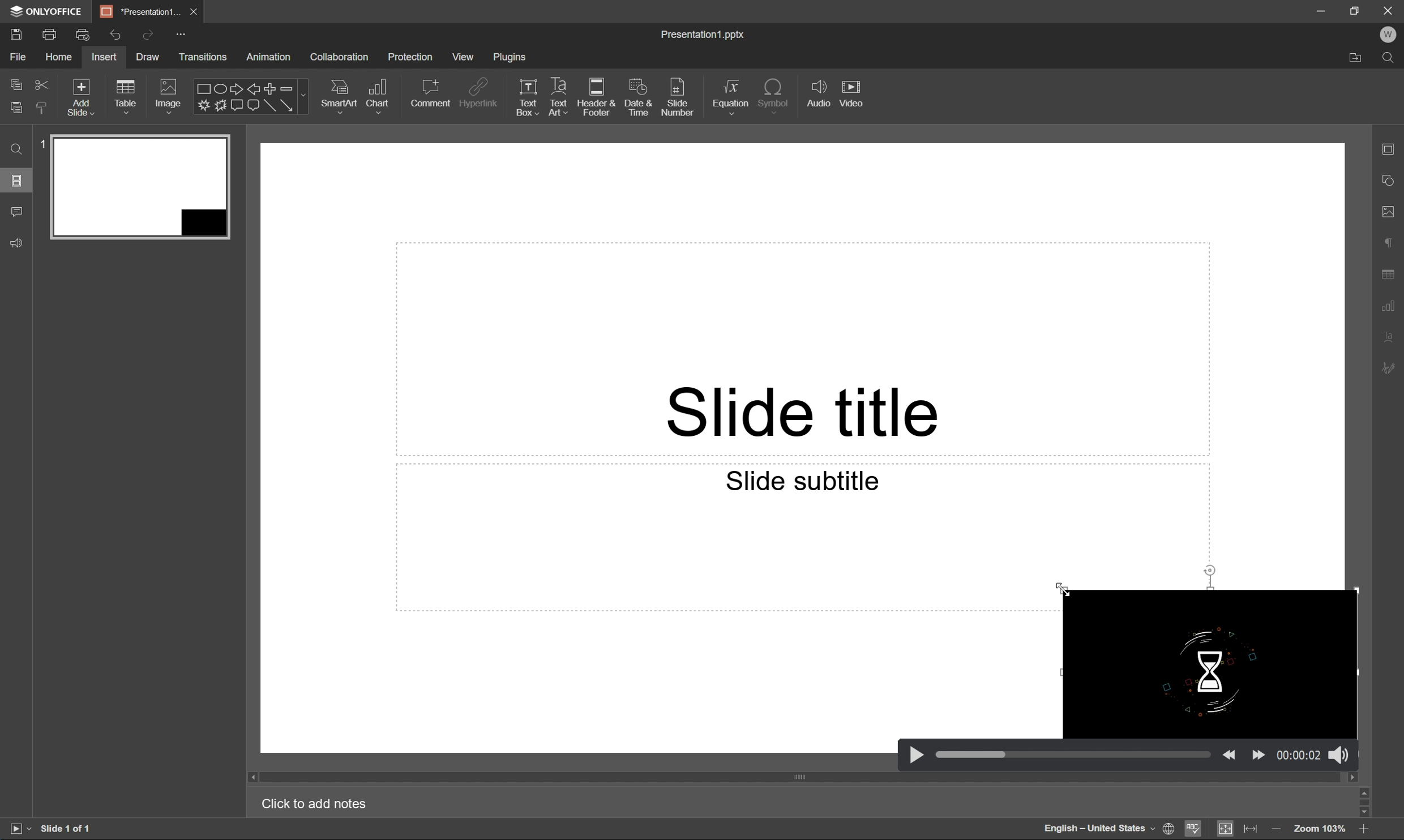  I want to click on Open file location, so click(1359, 58).